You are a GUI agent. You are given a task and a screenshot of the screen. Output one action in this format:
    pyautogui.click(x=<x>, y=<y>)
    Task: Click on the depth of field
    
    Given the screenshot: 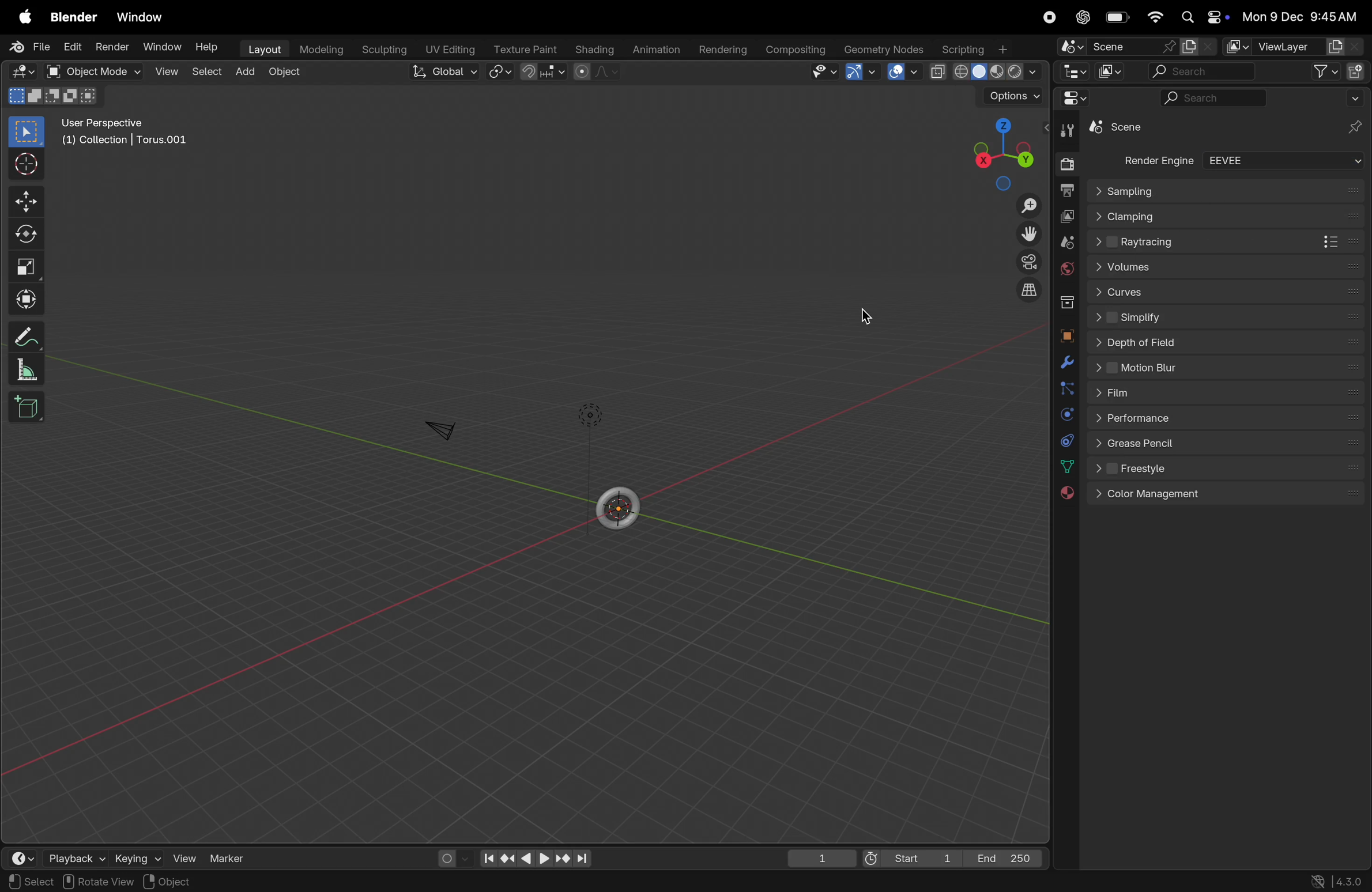 What is the action you would take?
    pyautogui.click(x=1229, y=342)
    